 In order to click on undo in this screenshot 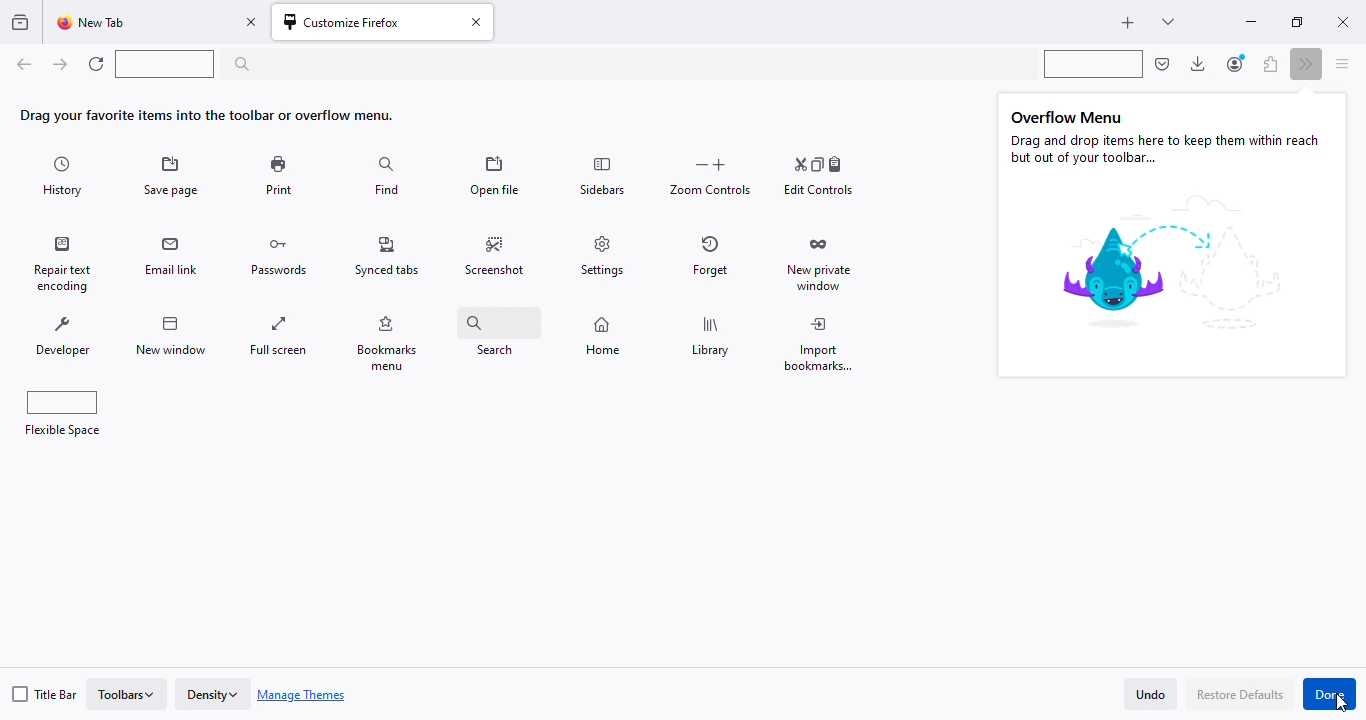, I will do `click(1153, 694)`.